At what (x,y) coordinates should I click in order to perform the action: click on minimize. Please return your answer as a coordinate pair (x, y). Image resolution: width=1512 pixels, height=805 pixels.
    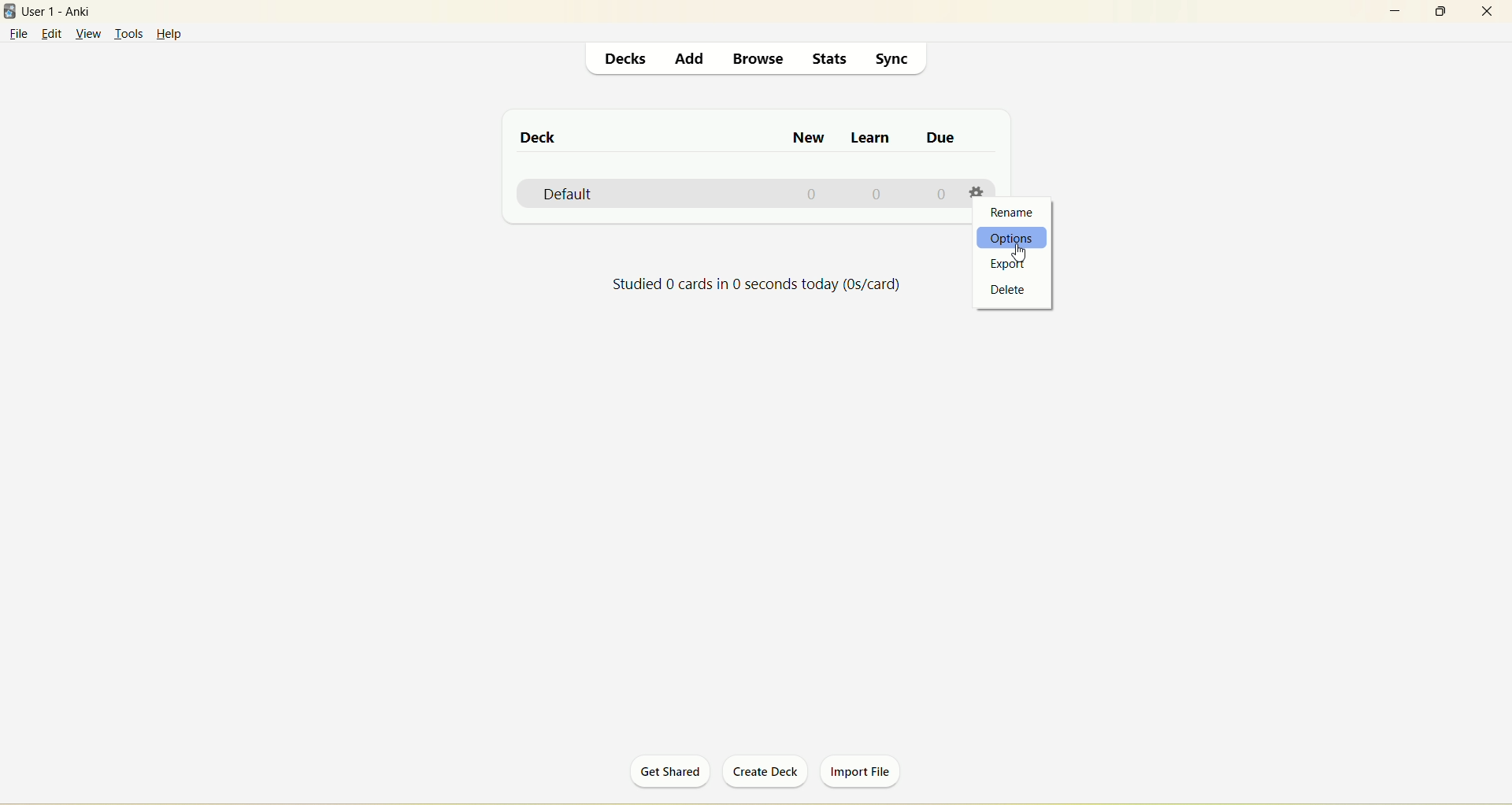
    Looking at the image, I should click on (1395, 9).